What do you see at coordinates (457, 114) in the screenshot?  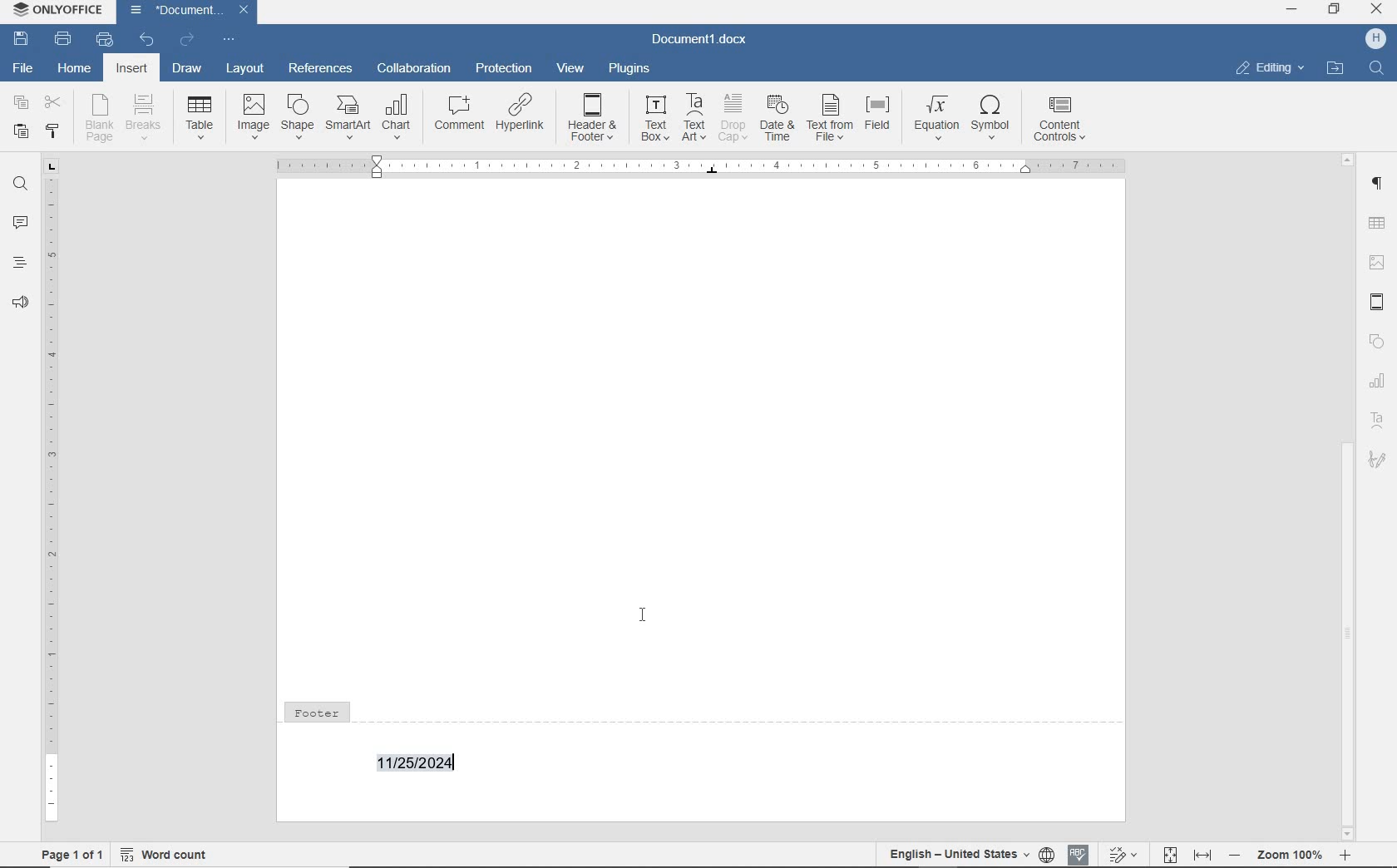 I see `comment` at bounding box center [457, 114].